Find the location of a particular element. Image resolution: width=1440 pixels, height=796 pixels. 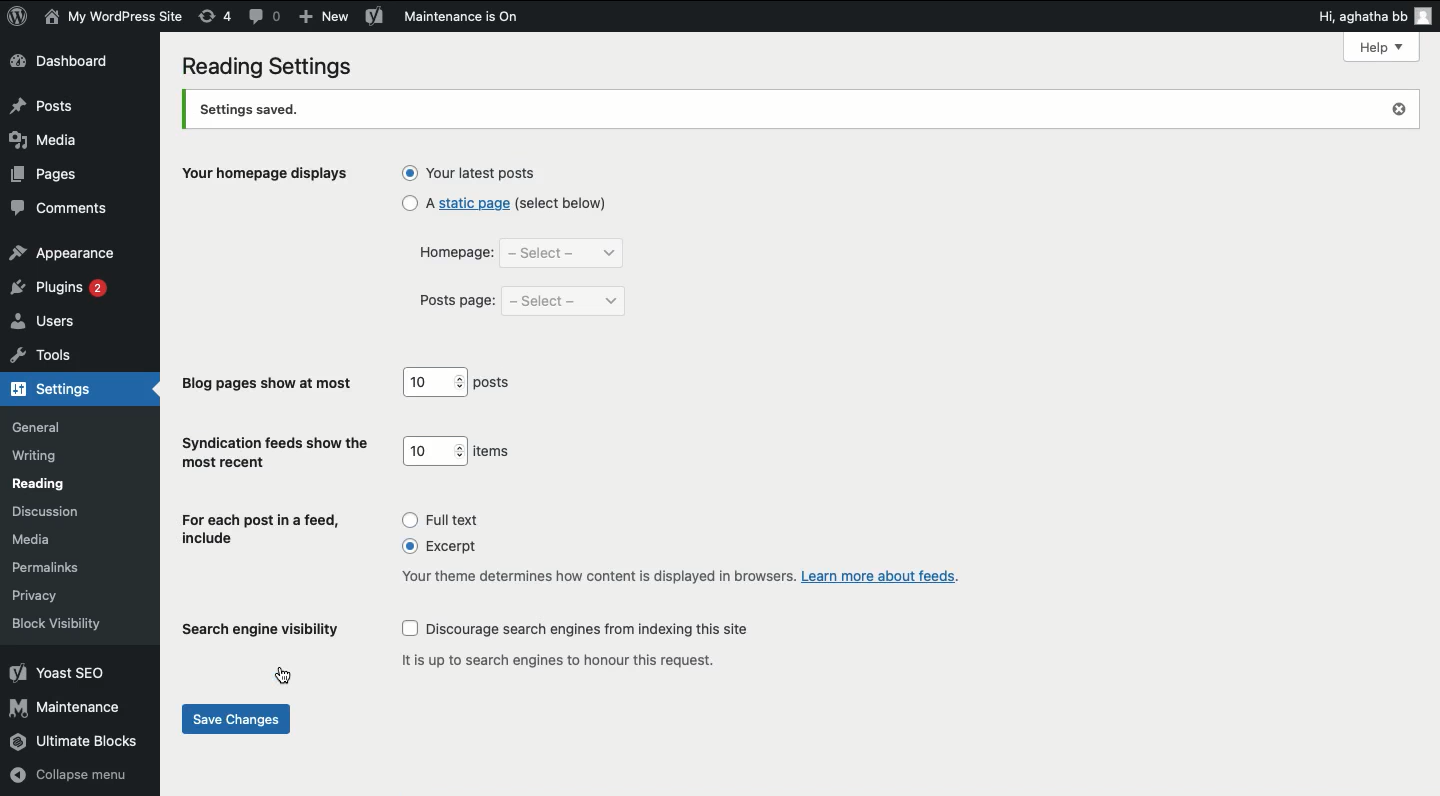

maintenance is located at coordinates (64, 707).